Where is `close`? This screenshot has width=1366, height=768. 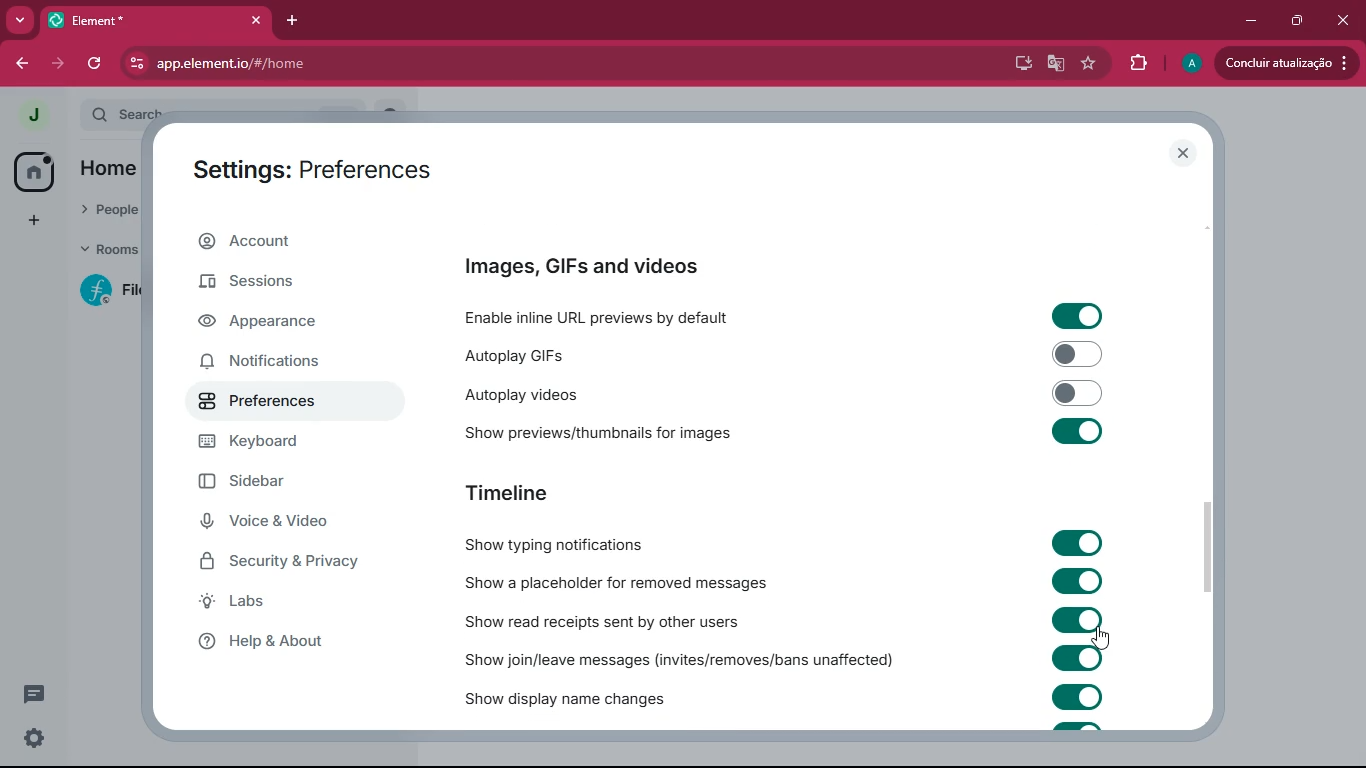
close is located at coordinates (1182, 153).